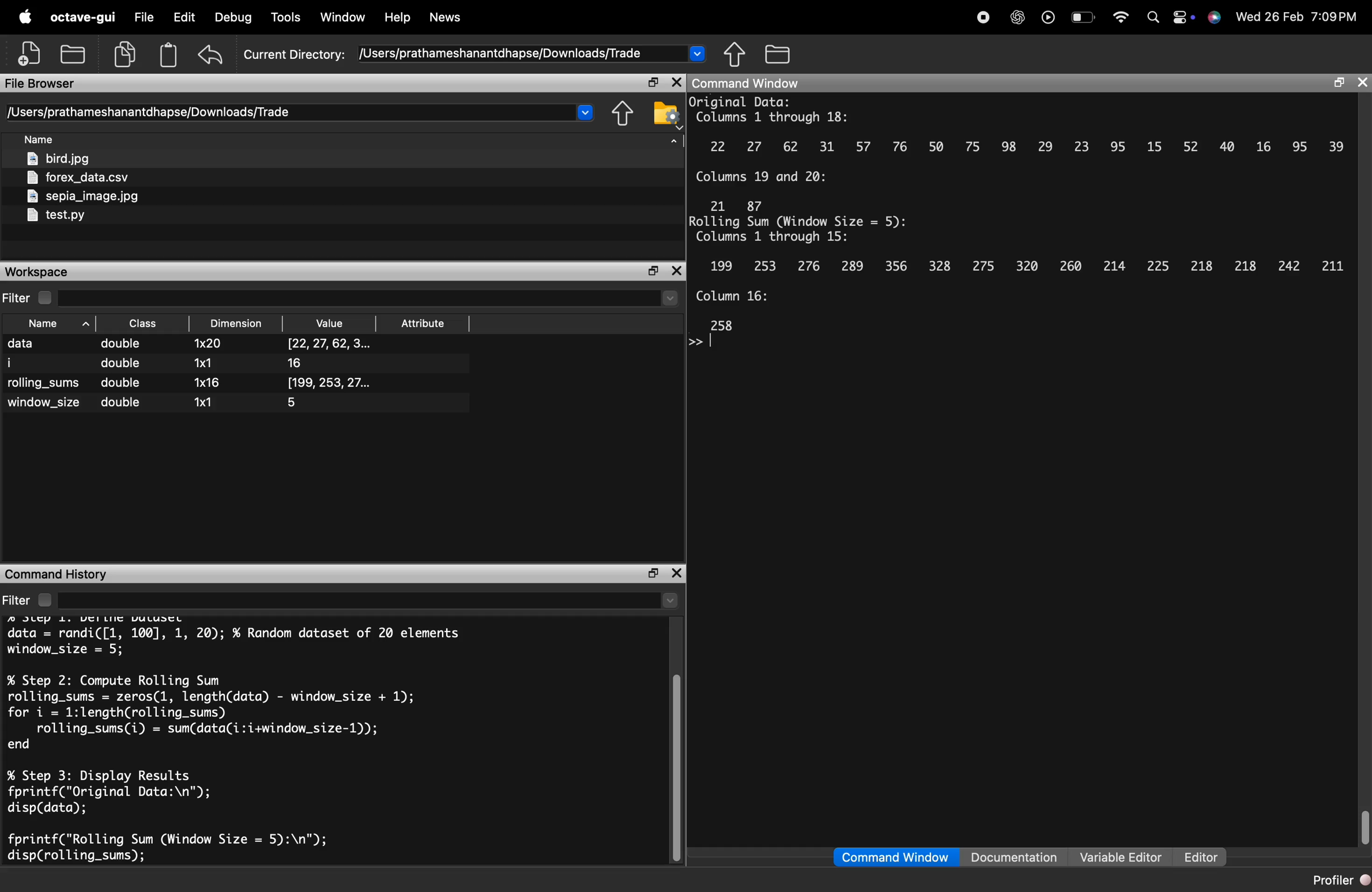  Describe the element at coordinates (236, 324) in the screenshot. I see `sort by dimension` at that location.